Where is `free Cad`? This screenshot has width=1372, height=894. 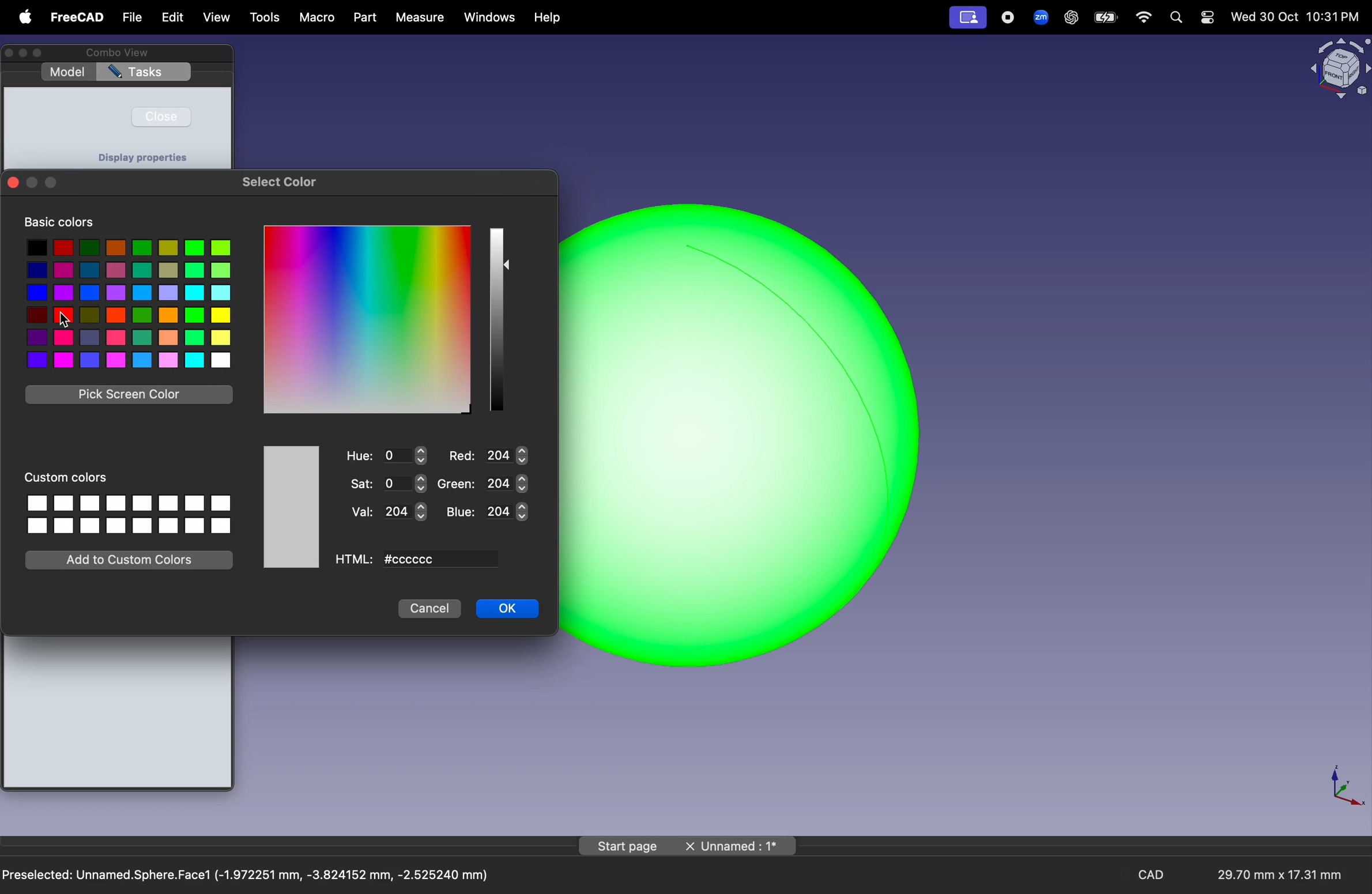
free Cad is located at coordinates (77, 18).